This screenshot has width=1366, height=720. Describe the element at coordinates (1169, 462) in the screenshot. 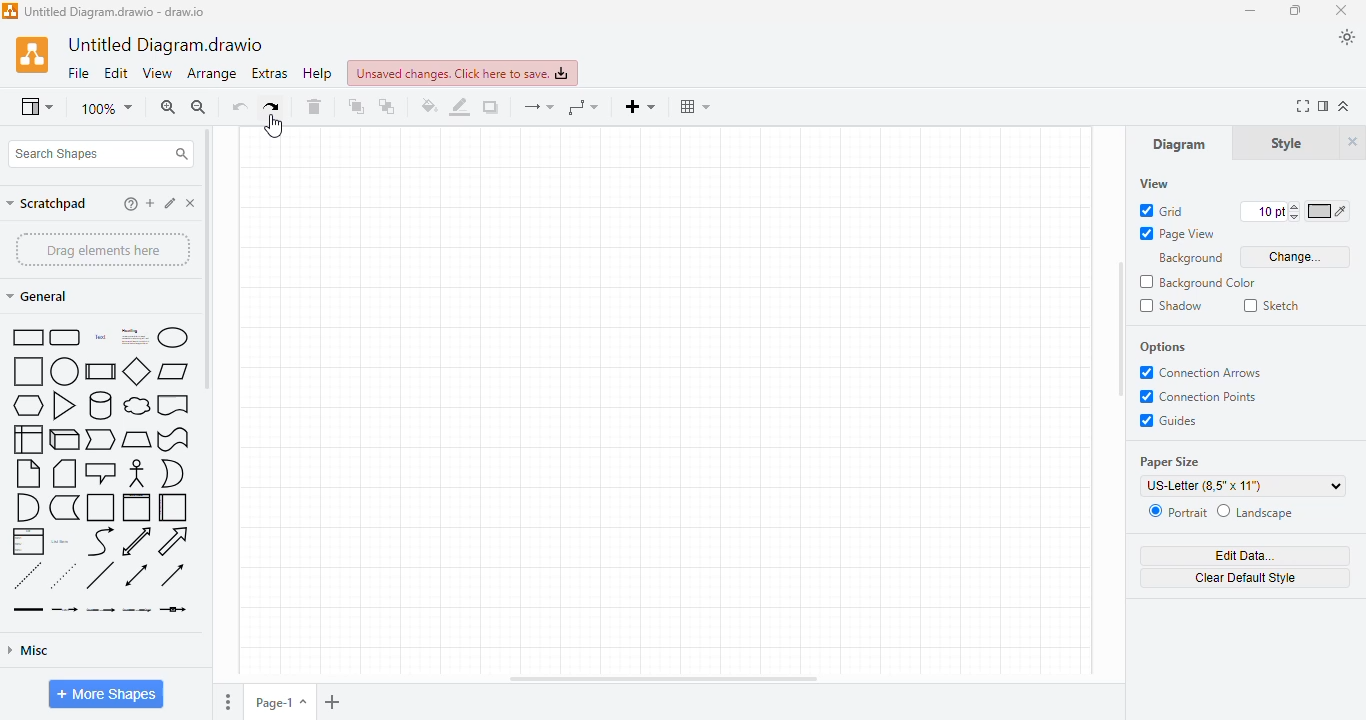

I see `paper size` at that location.